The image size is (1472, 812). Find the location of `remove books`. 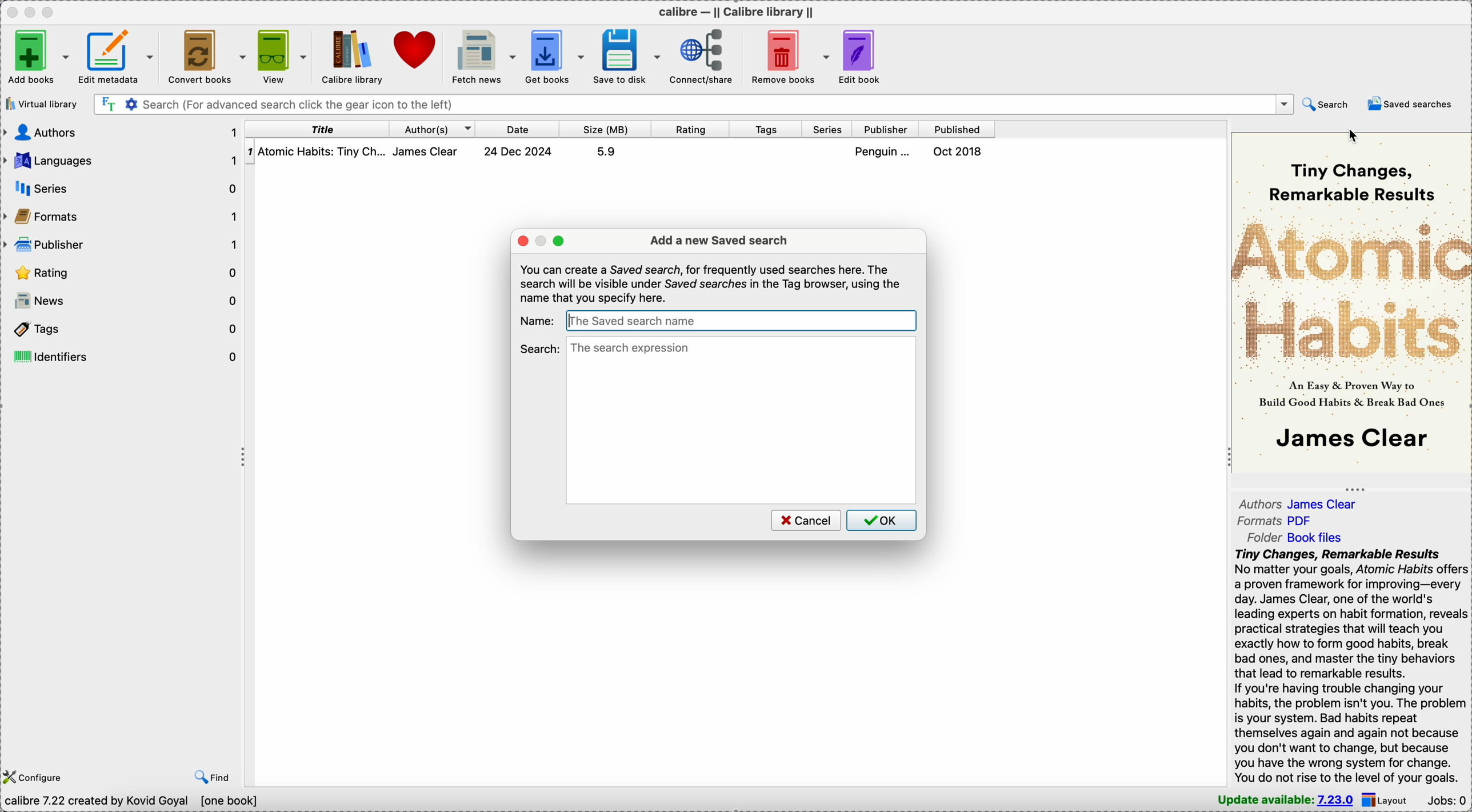

remove books is located at coordinates (791, 55).